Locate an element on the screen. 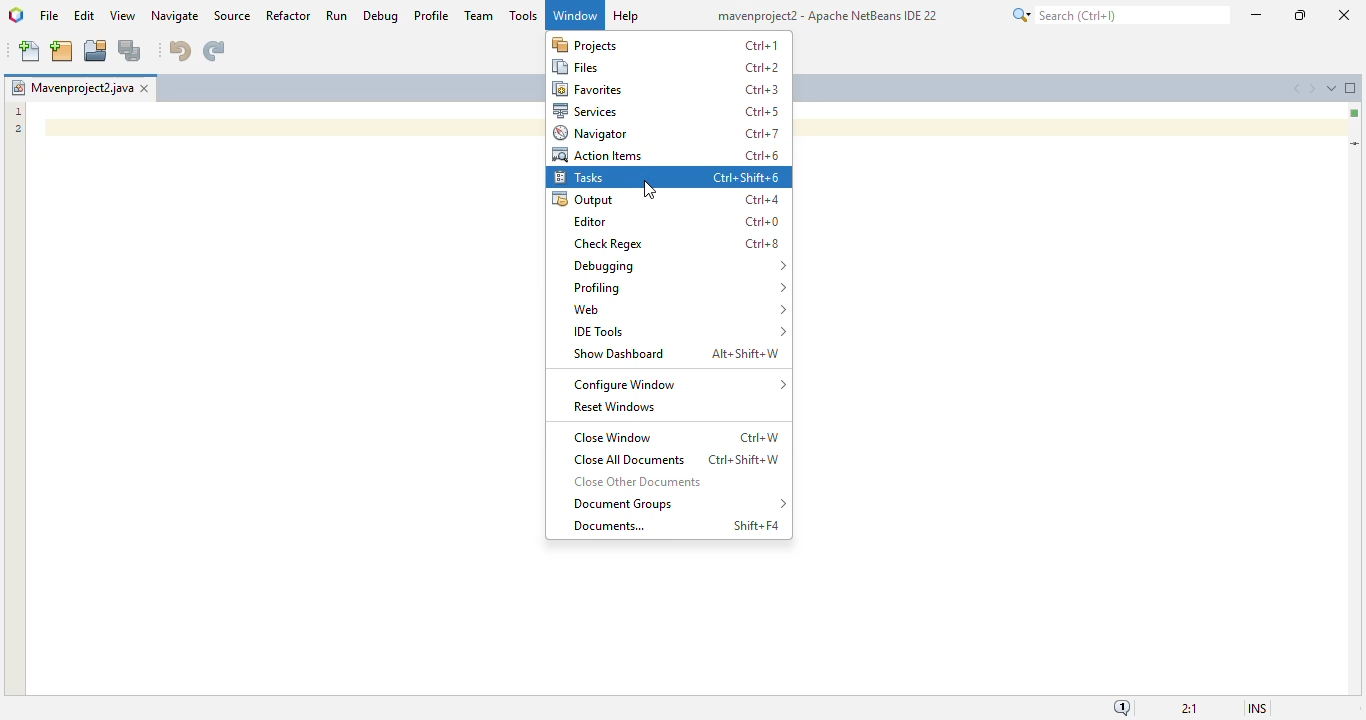 Image resolution: width=1366 pixels, height=720 pixels. maximize window is located at coordinates (1351, 89).